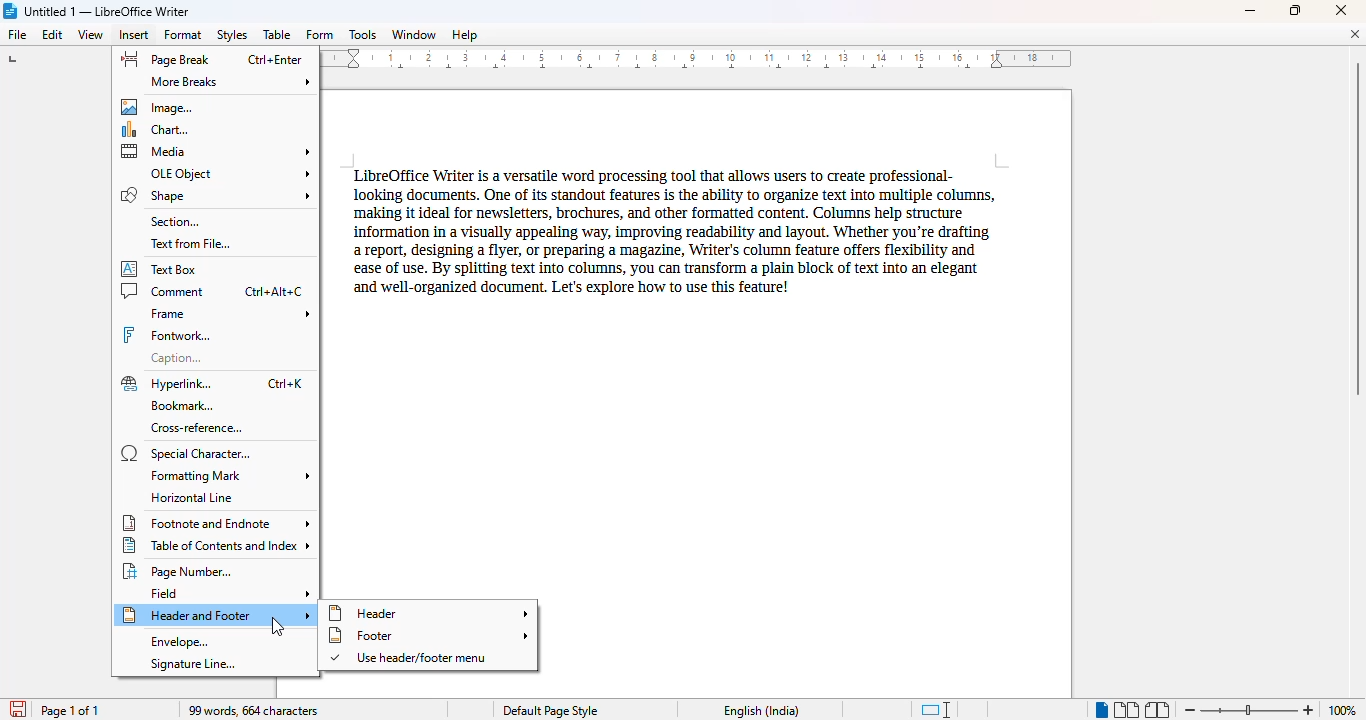 Image resolution: width=1366 pixels, height=720 pixels. I want to click on Vertical scroll bar, so click(1357, 229).